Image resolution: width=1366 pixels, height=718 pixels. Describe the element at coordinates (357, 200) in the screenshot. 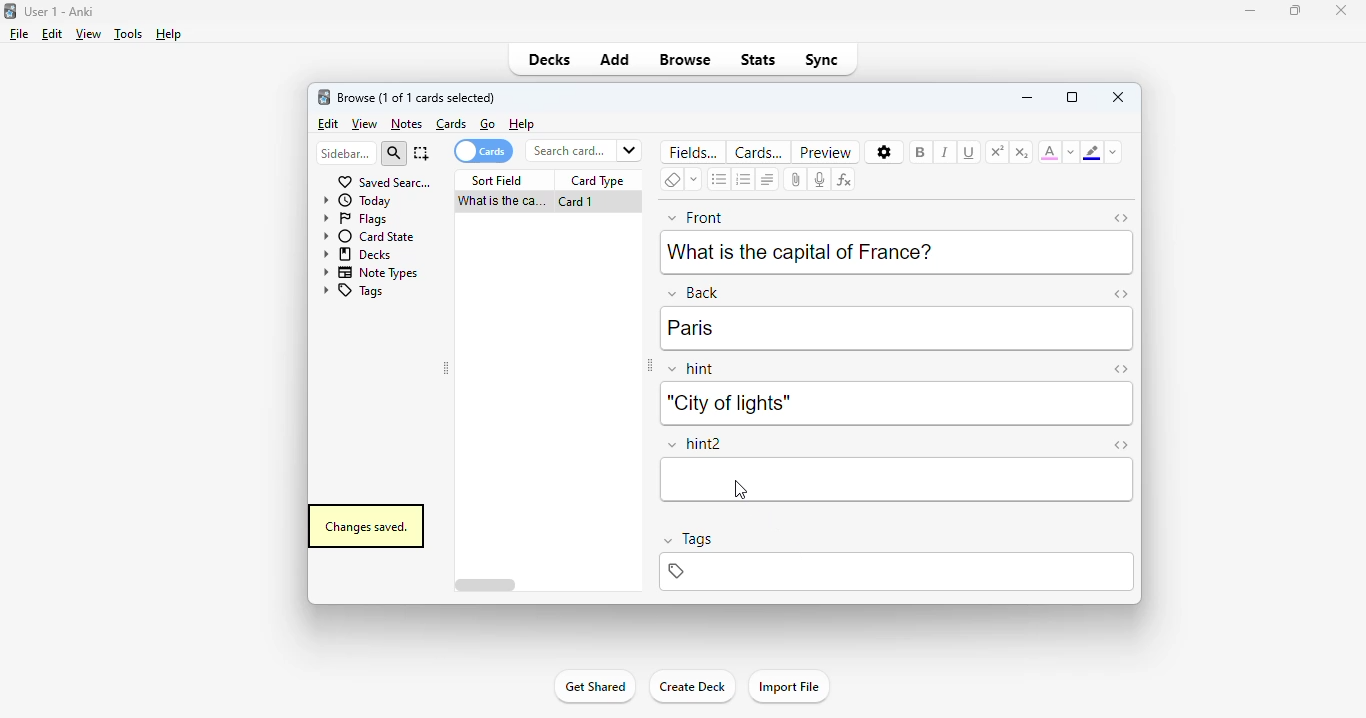

I see `today` at that location.